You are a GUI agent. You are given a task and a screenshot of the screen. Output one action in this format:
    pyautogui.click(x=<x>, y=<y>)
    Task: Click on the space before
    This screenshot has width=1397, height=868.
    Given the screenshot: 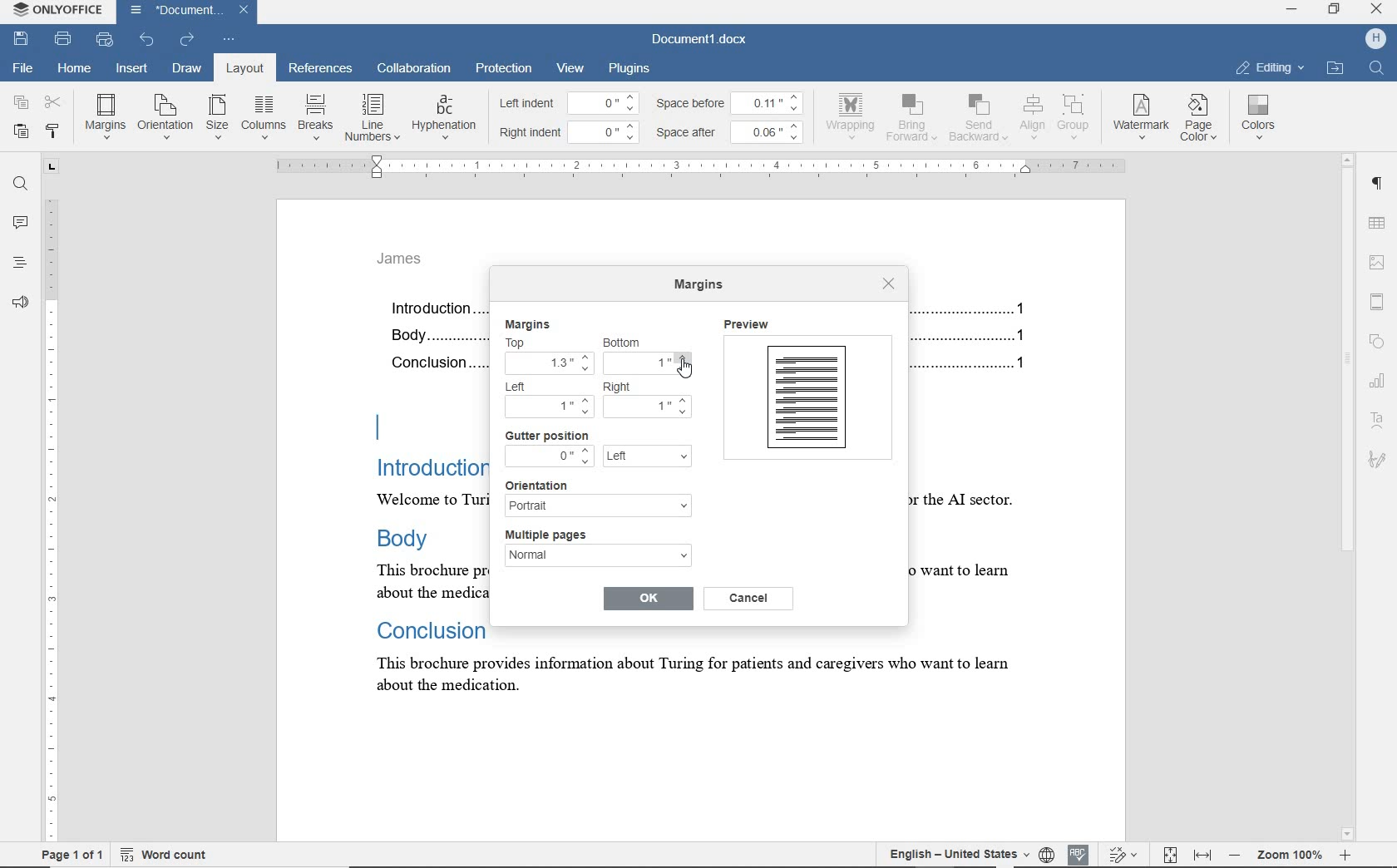 What is the action you would take?
    pyautogui.click(x=693, y=103)
    